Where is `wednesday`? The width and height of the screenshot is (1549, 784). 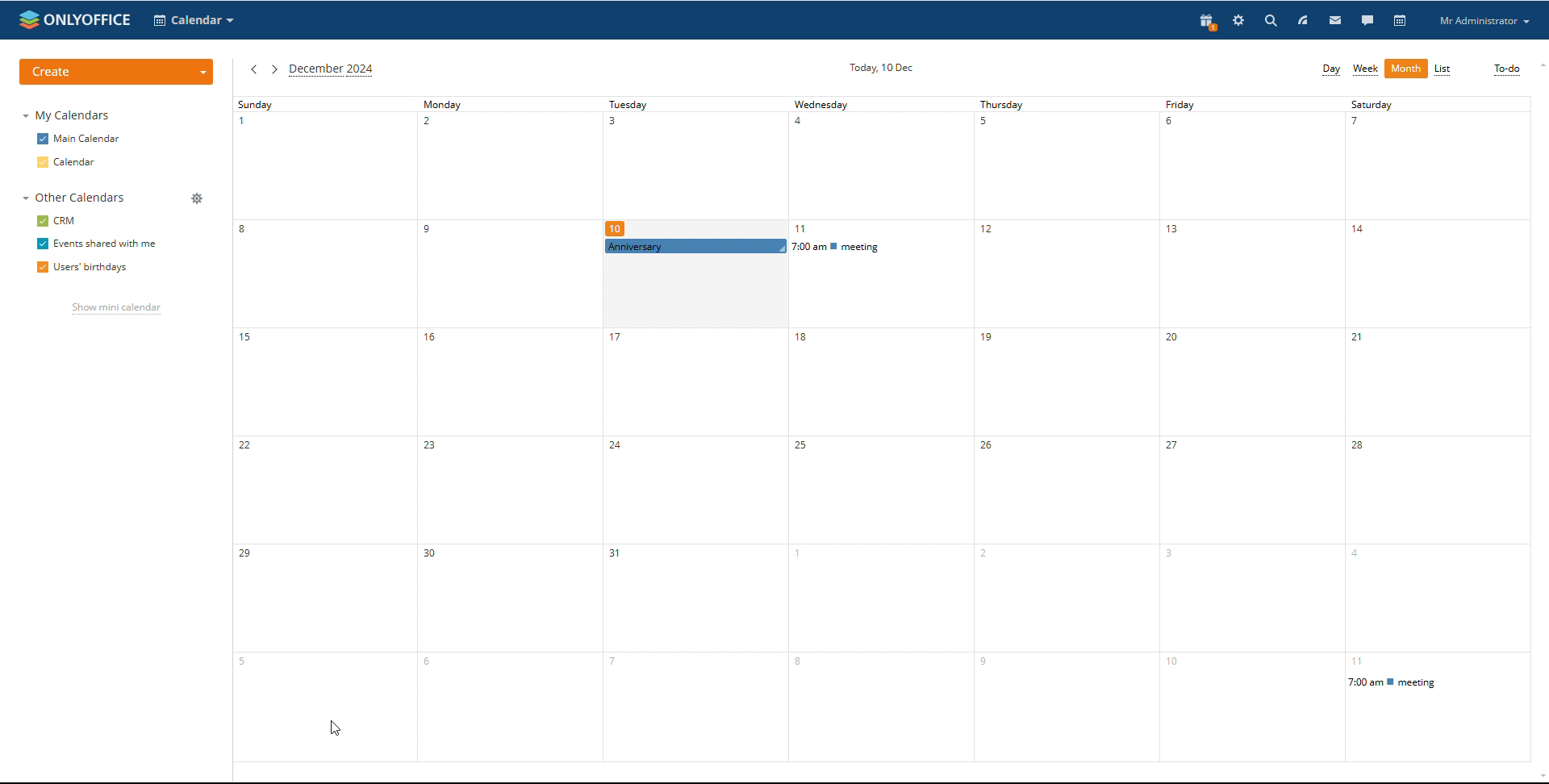
wednesday is located at coordinates (878, 166).